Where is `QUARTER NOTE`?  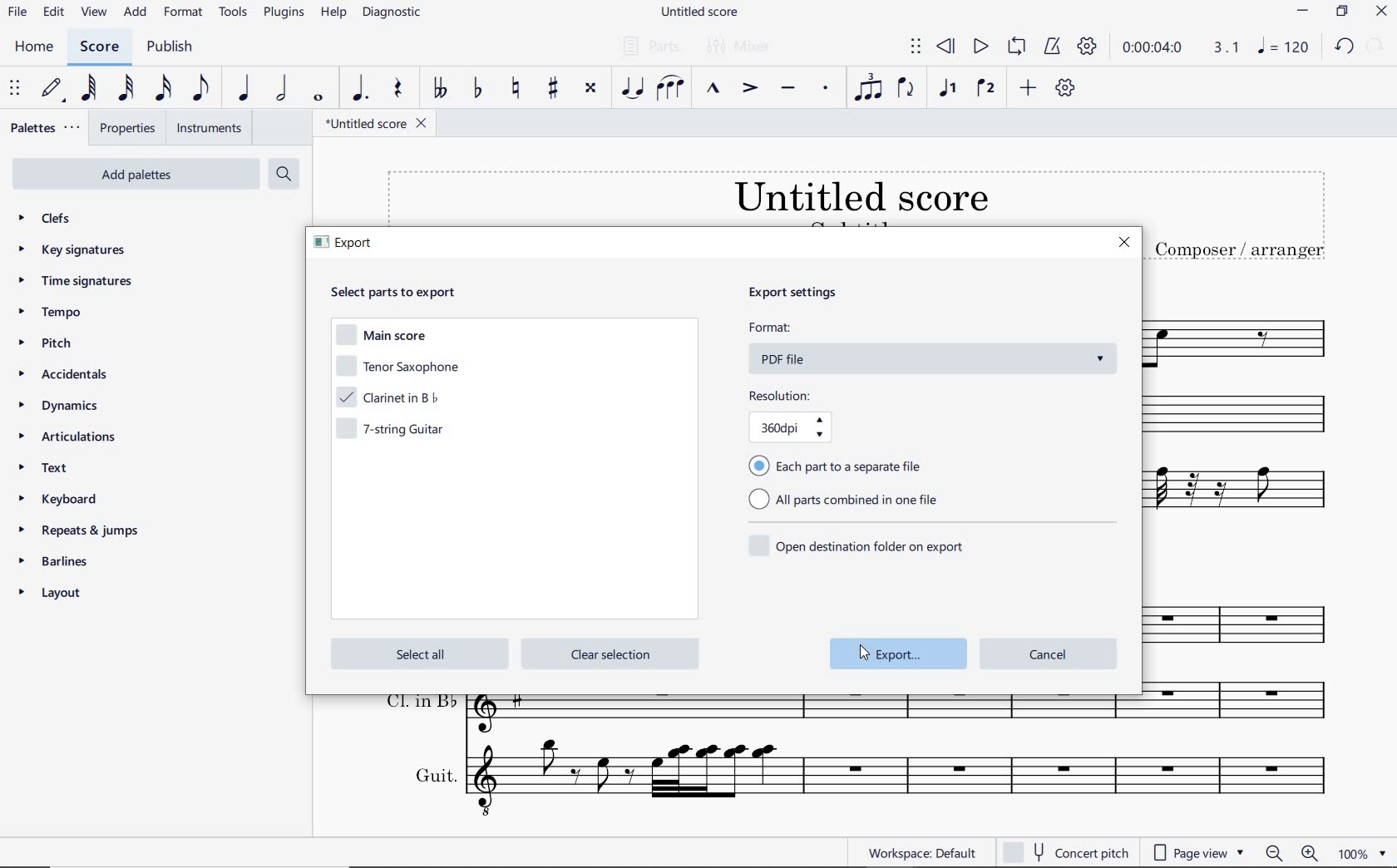 QUARTER NOTE is located at coordinates (244, 89).